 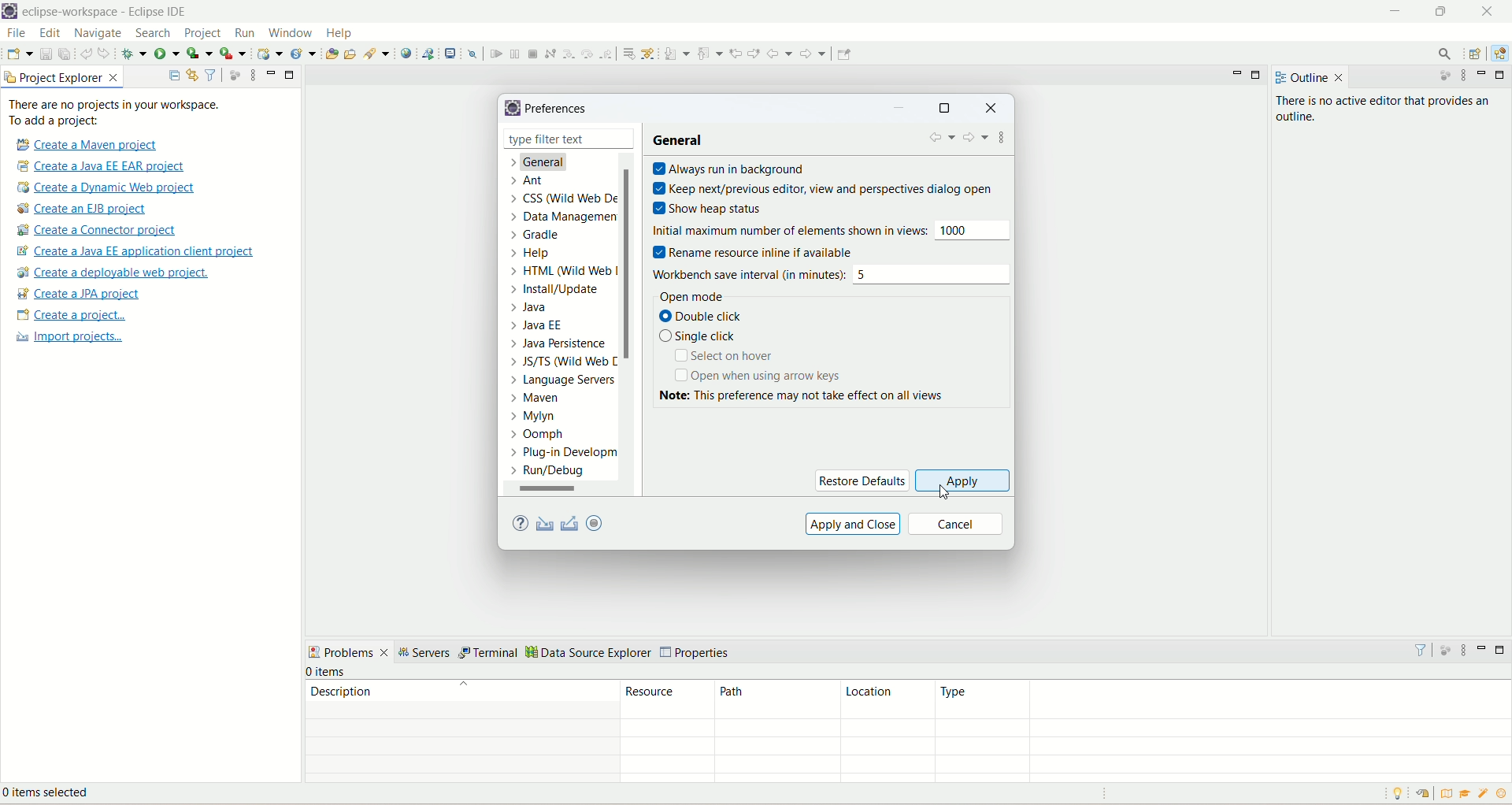 What do you see at coordinates (513, 52) in the screenshot?
I see `suspend` at bounding box center [513, 52].